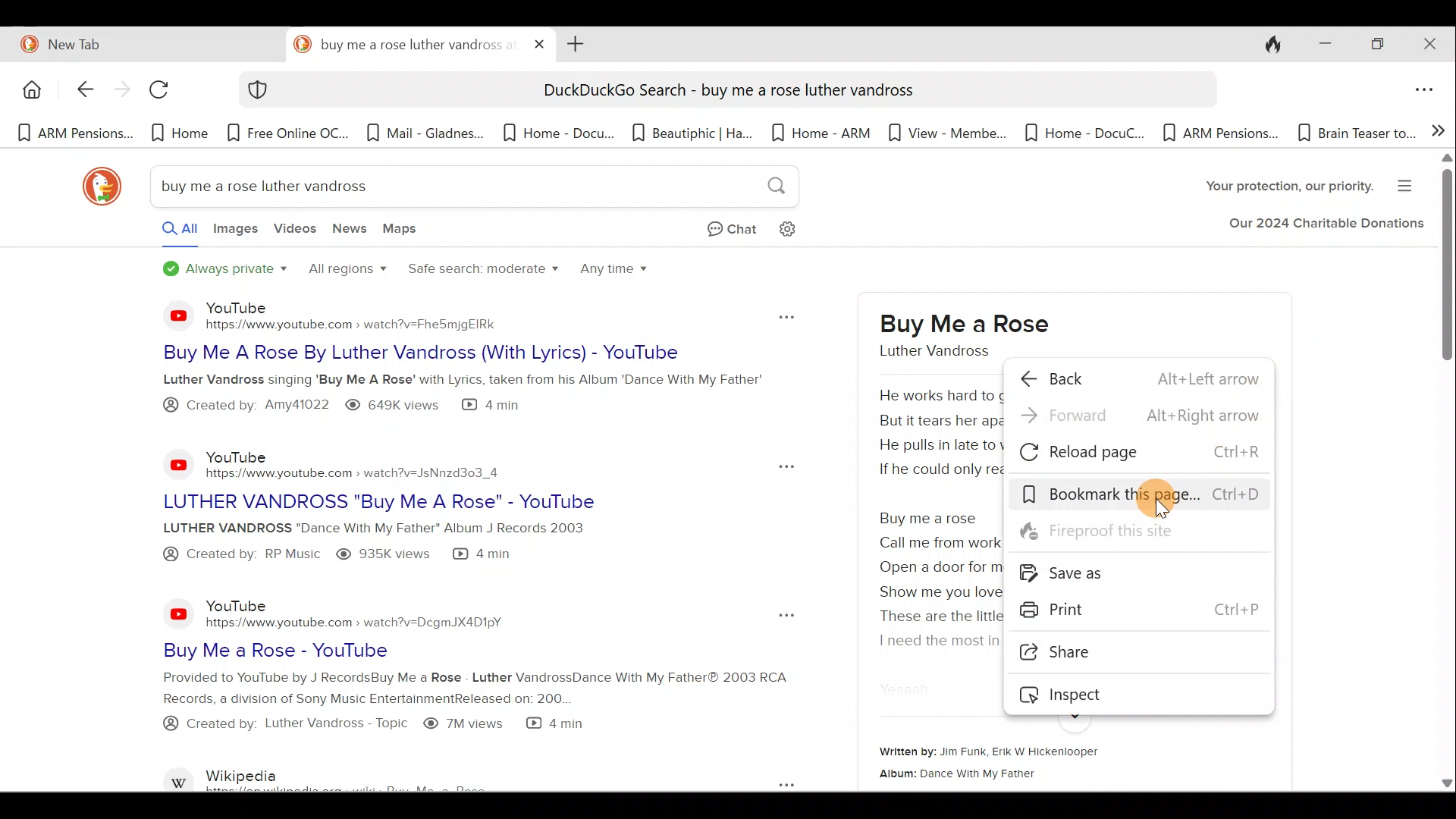 The image size is (1456, 819). Describe the element at coordinates (1139, 419) in the screenshot. I see `Forward` at that location.